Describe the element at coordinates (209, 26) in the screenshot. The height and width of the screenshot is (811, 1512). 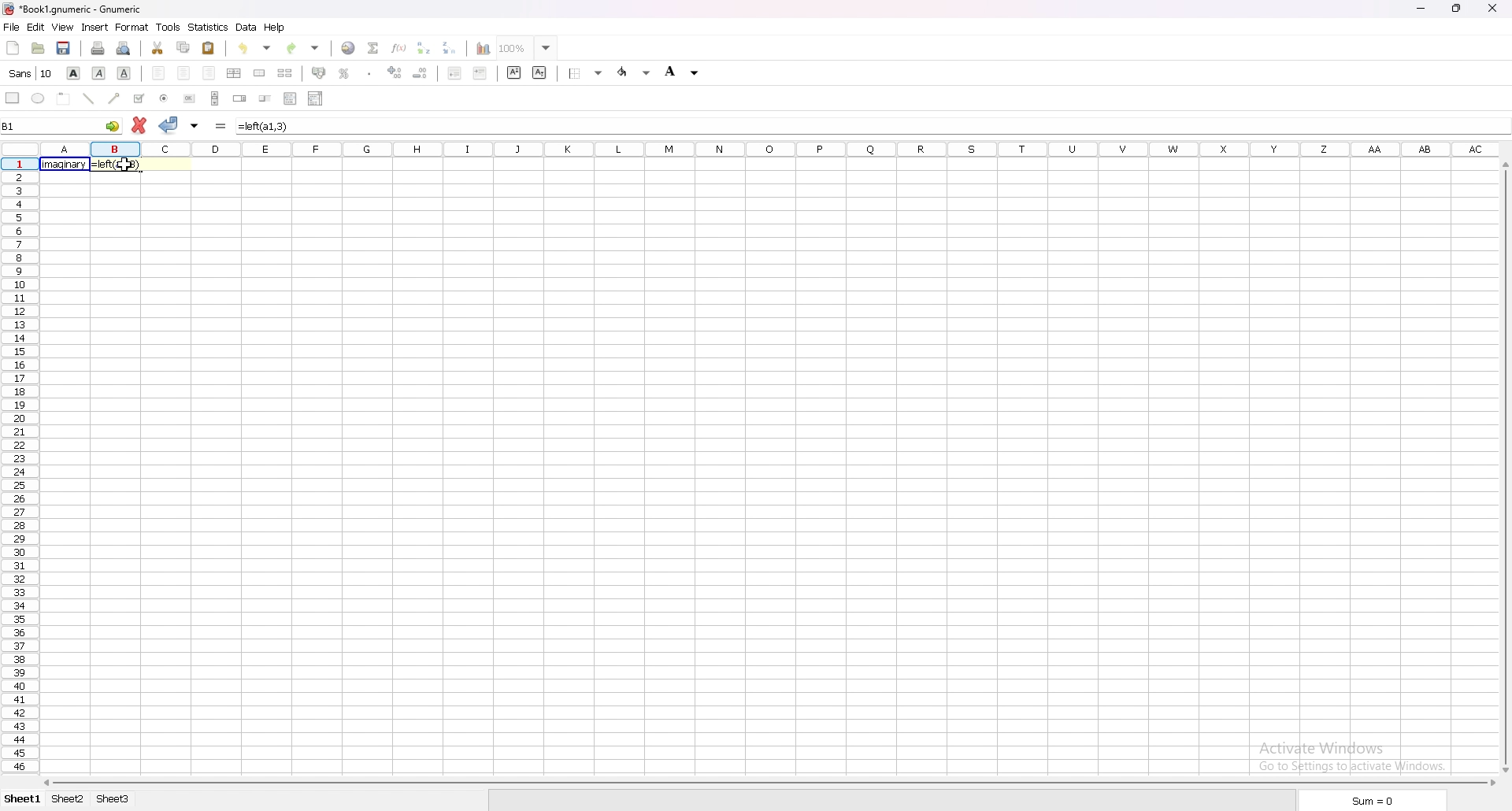
I see `statistics` at that location.